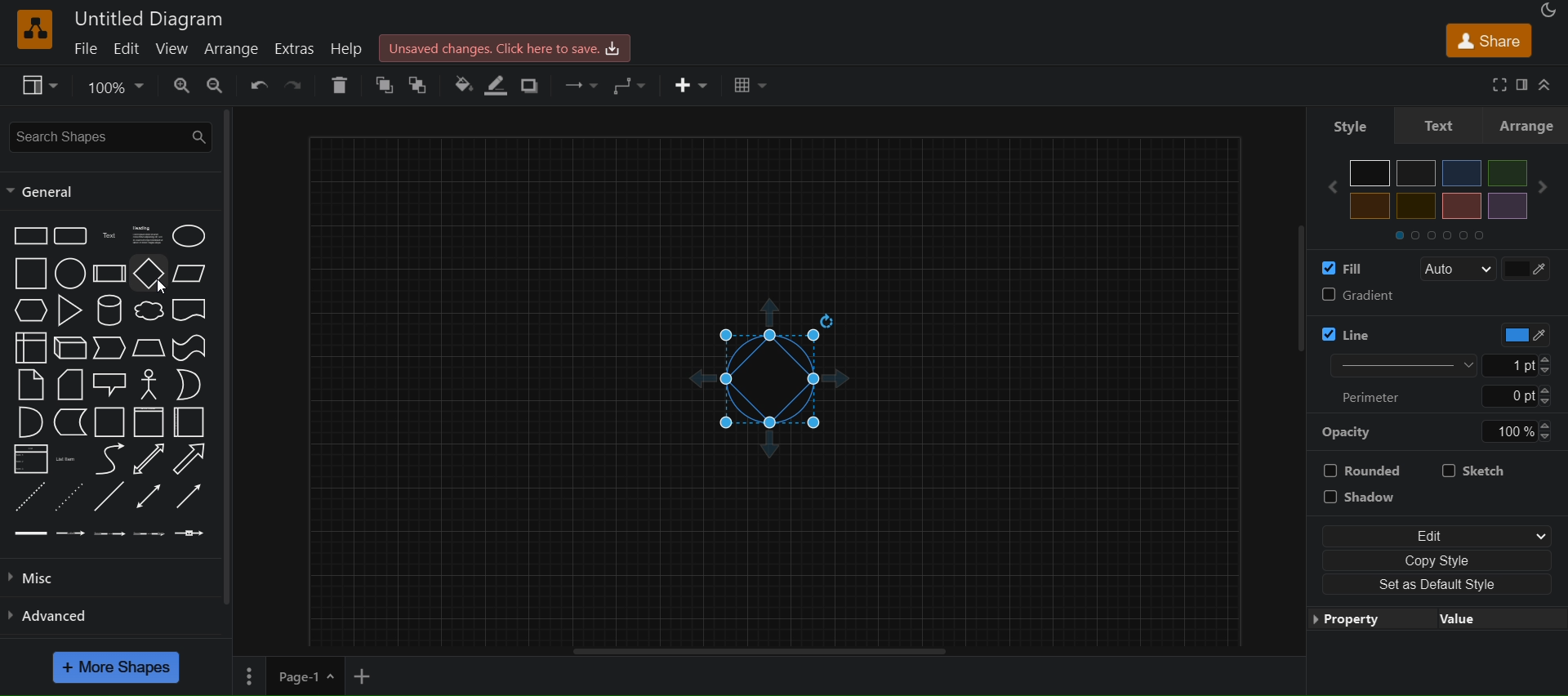 The image size is (1568, 696). I want to click on grey color, so click(1417, 172).